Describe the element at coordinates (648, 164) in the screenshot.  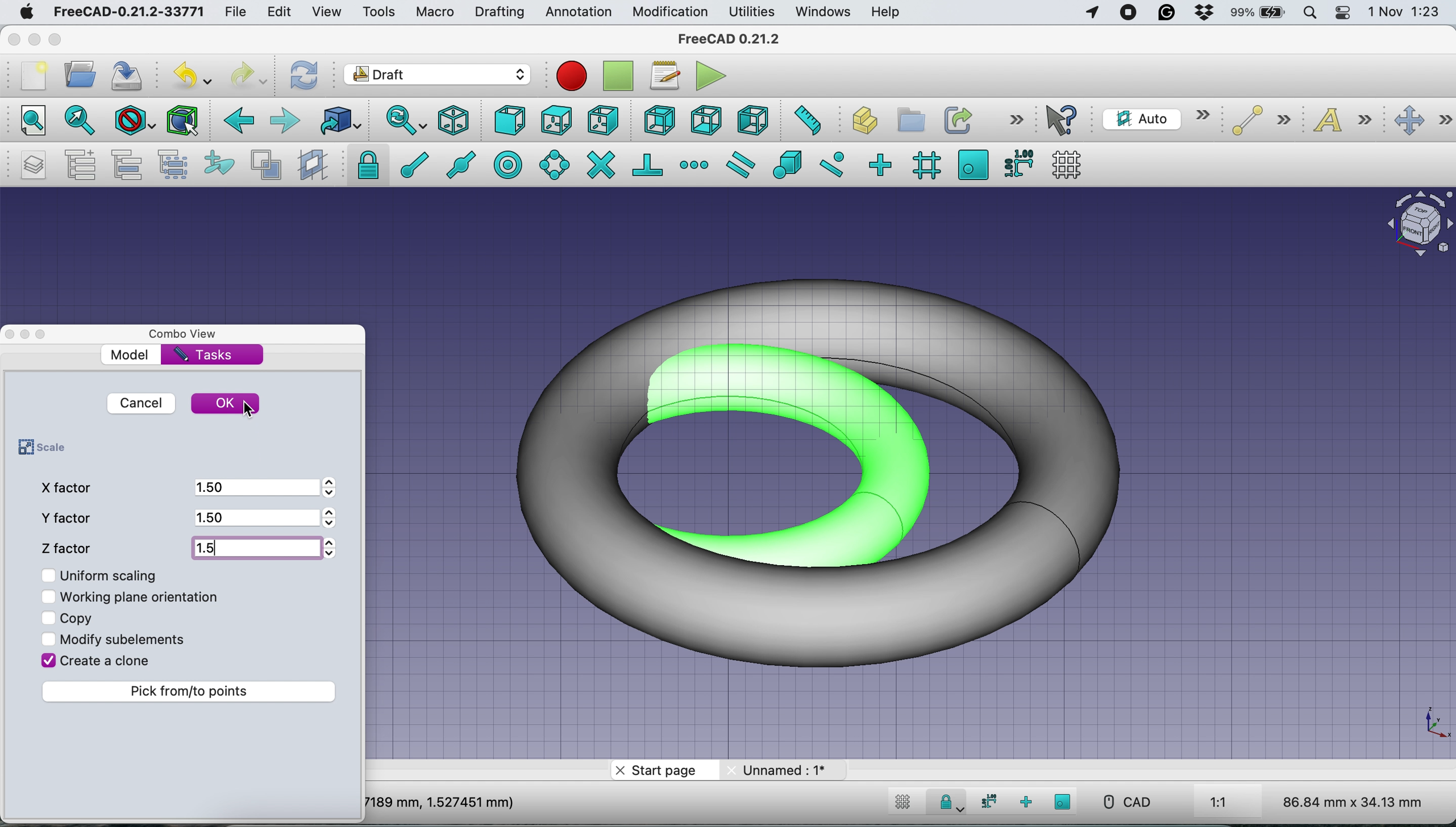
I see `snap perpendicular` at that location.